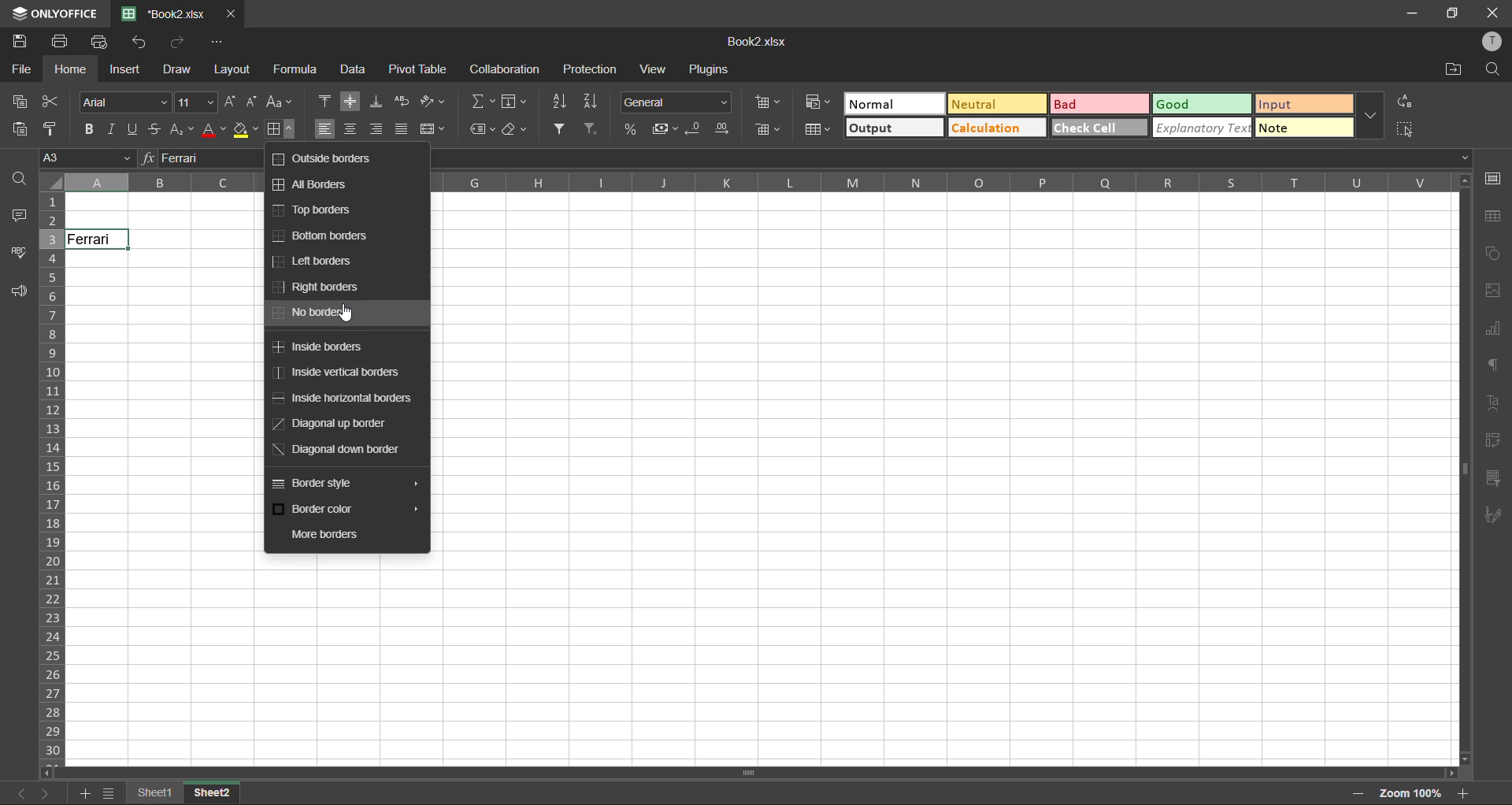 This screenshot has width=1512, height=805. Describe the element at coordinates (231, 69) in the screenshot. I see `layout` at that location.